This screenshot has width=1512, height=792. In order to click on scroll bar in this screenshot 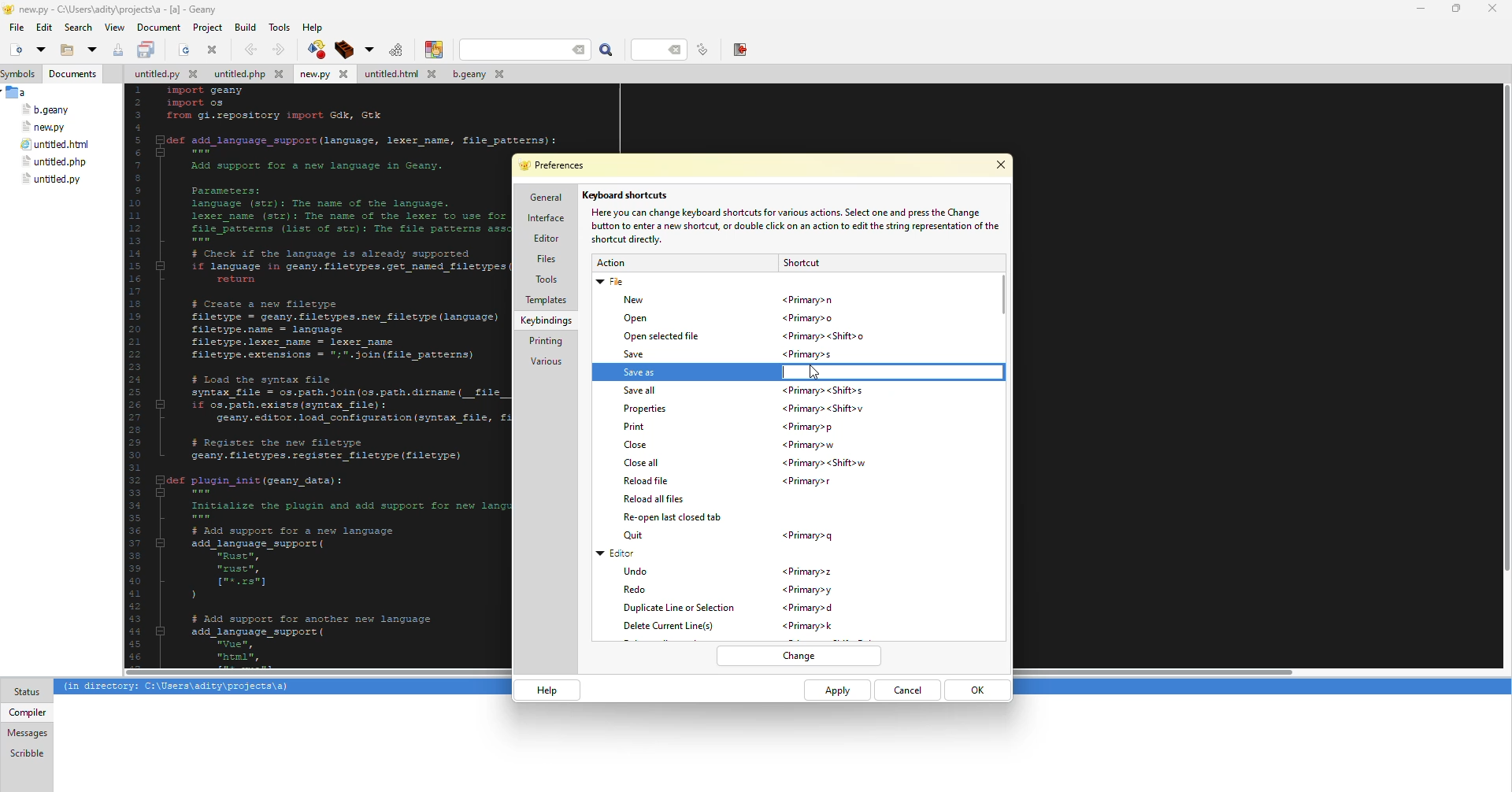, I will do `click(710, 673)`.